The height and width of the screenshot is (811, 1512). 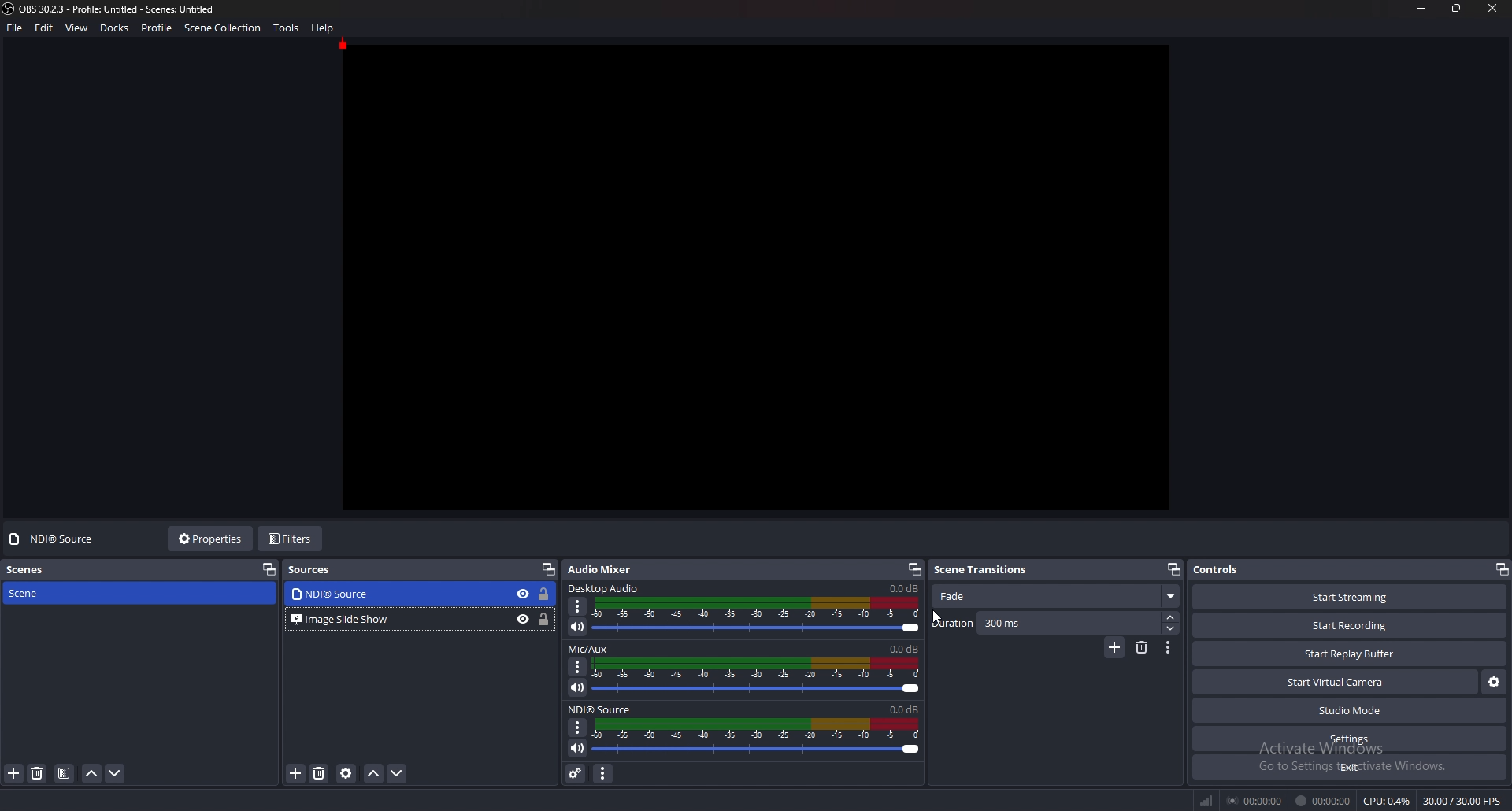 What do you see at coordinates (1348, 767) in the screenshot?
I see `exit` at bounding box center [1348, 767].